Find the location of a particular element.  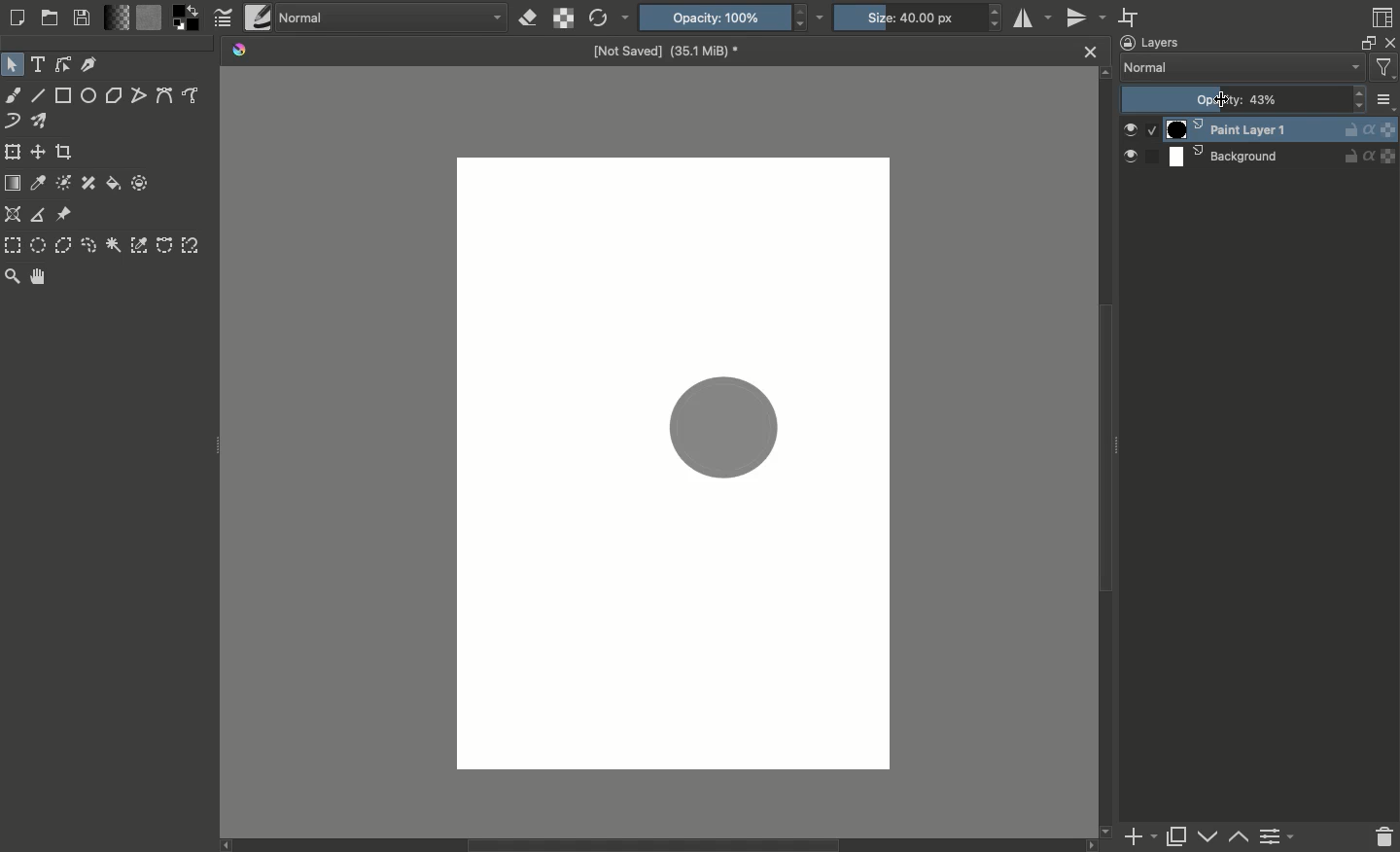

Text is located at coordinates (39, 63).